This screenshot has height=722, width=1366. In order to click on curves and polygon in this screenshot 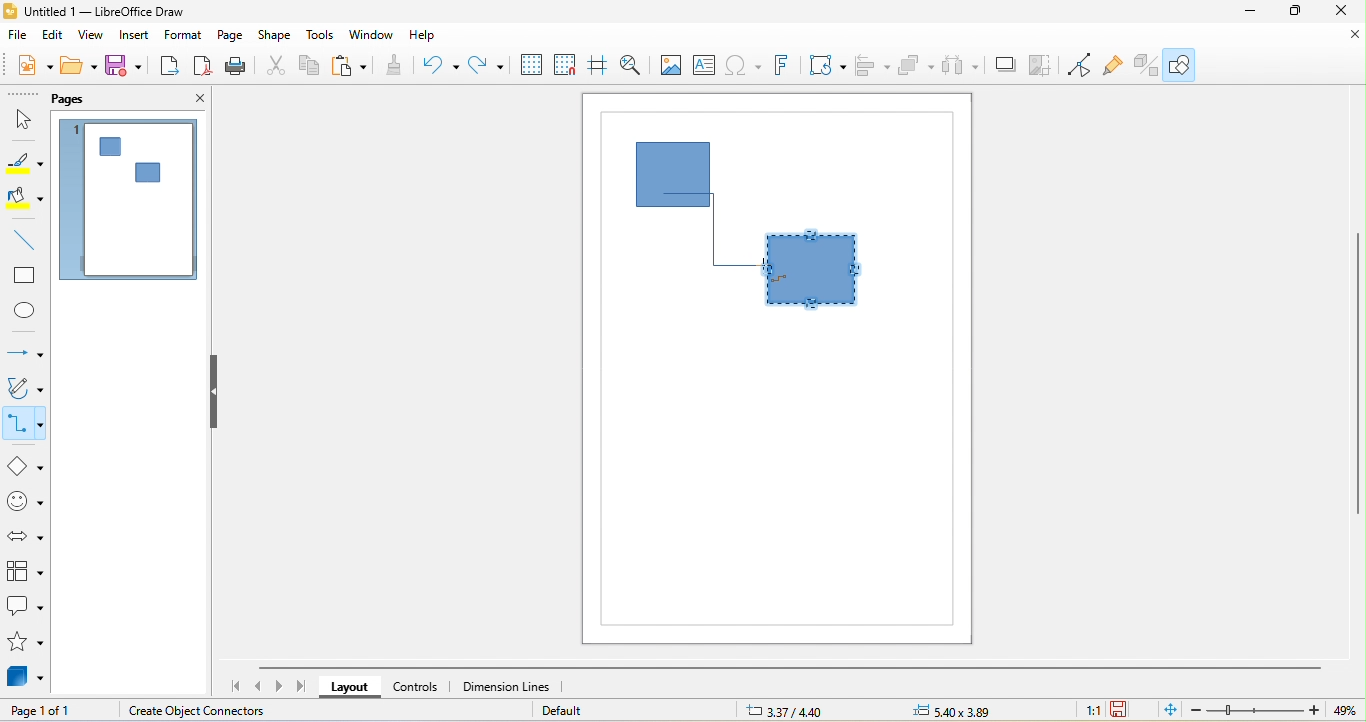, I will do `click(26, 388)`.